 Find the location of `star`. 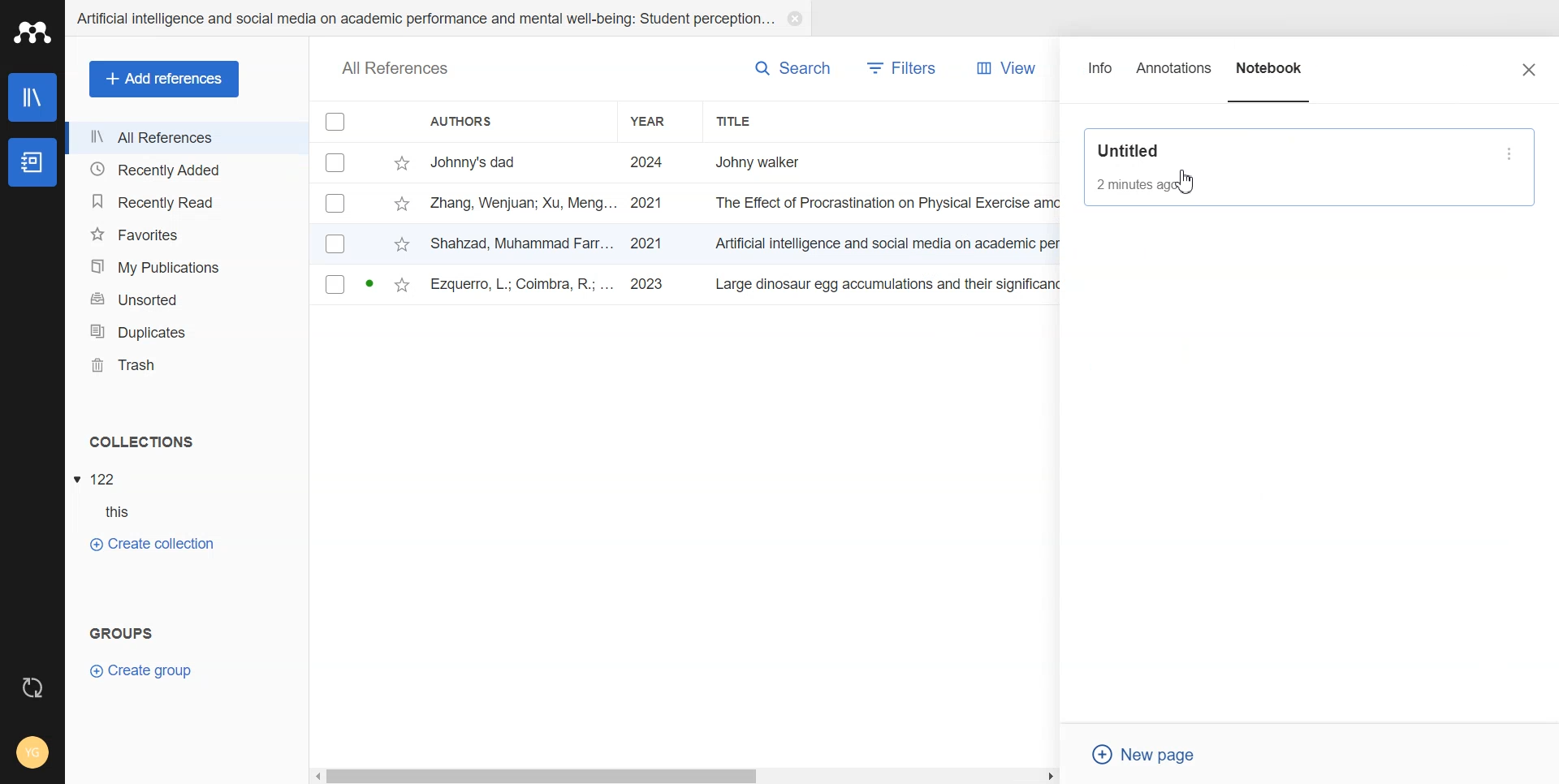

star is located at coordinates (401, 205).